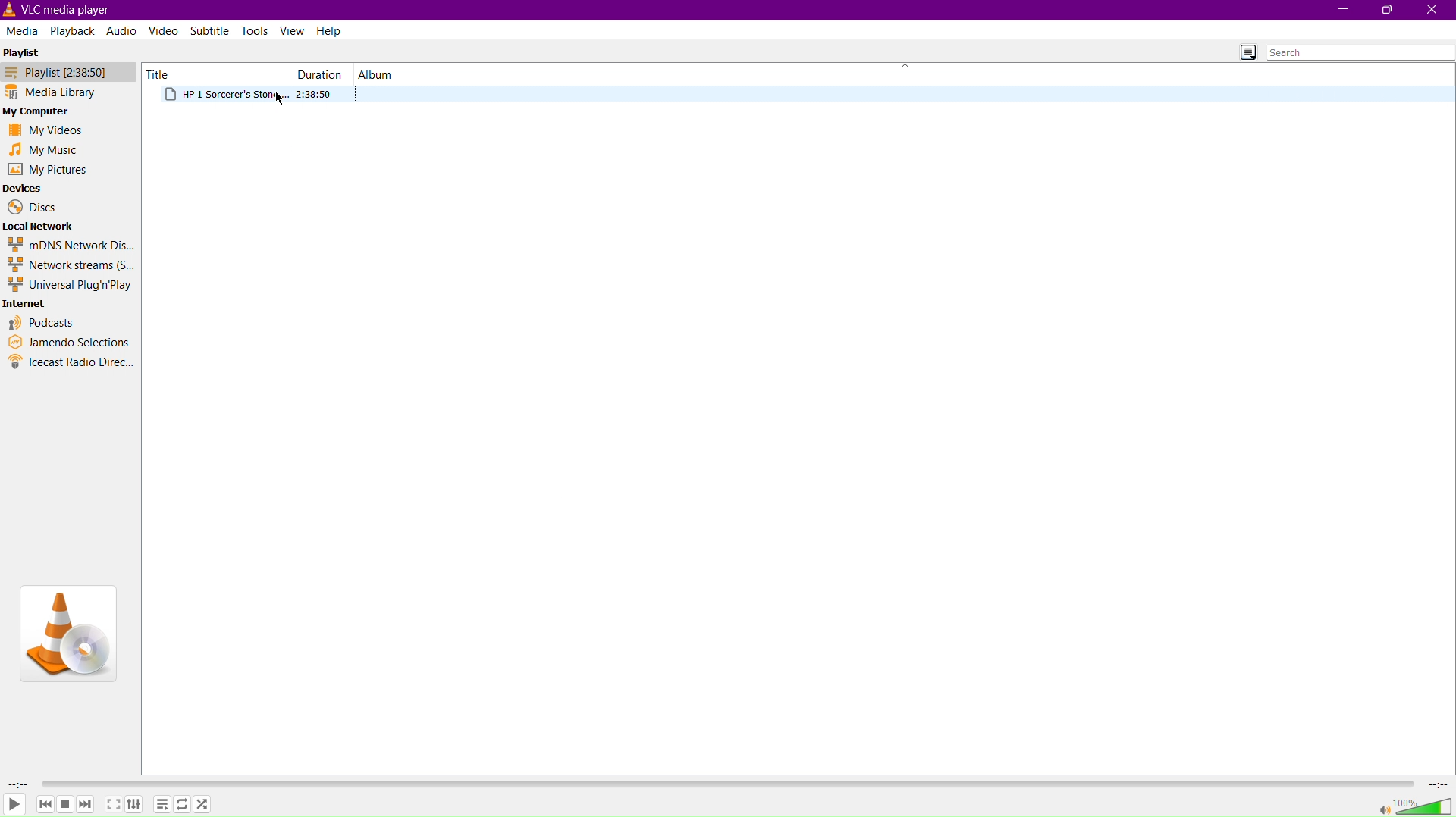  Describe the element at coordinates (64, 803) in the screenshot. I see `Stop` at that location.